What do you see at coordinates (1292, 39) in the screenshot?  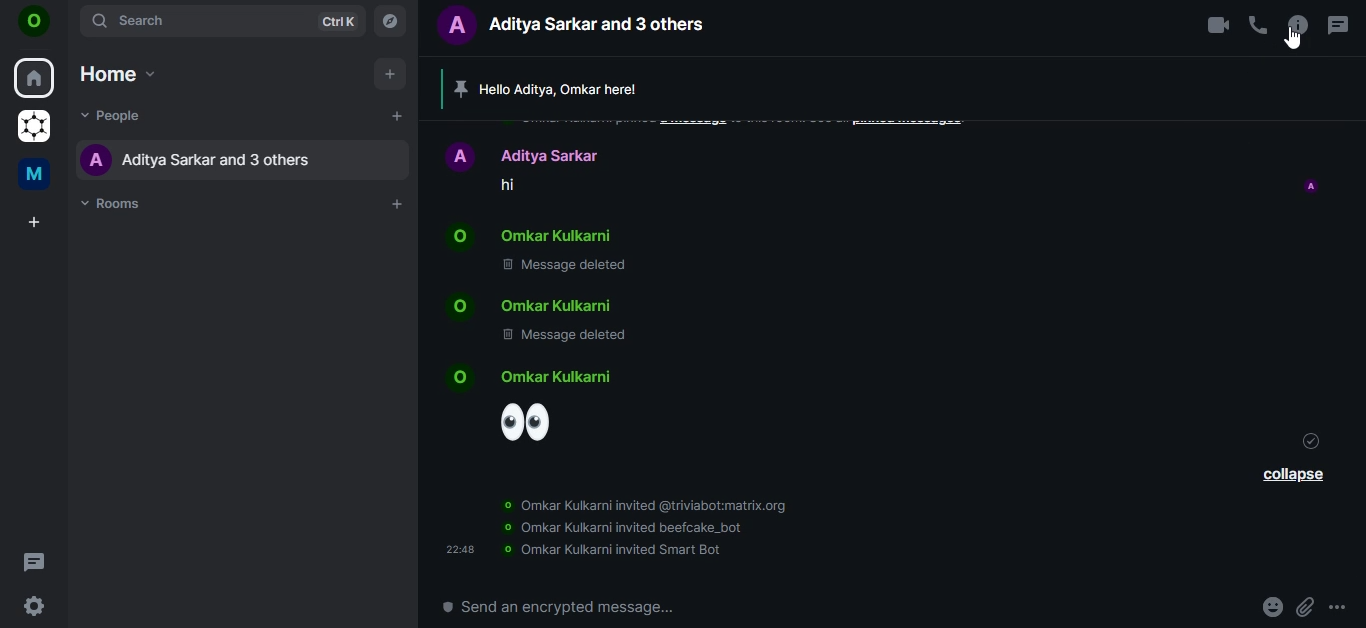 I see `cursor` at bounding box center [1292, 39].